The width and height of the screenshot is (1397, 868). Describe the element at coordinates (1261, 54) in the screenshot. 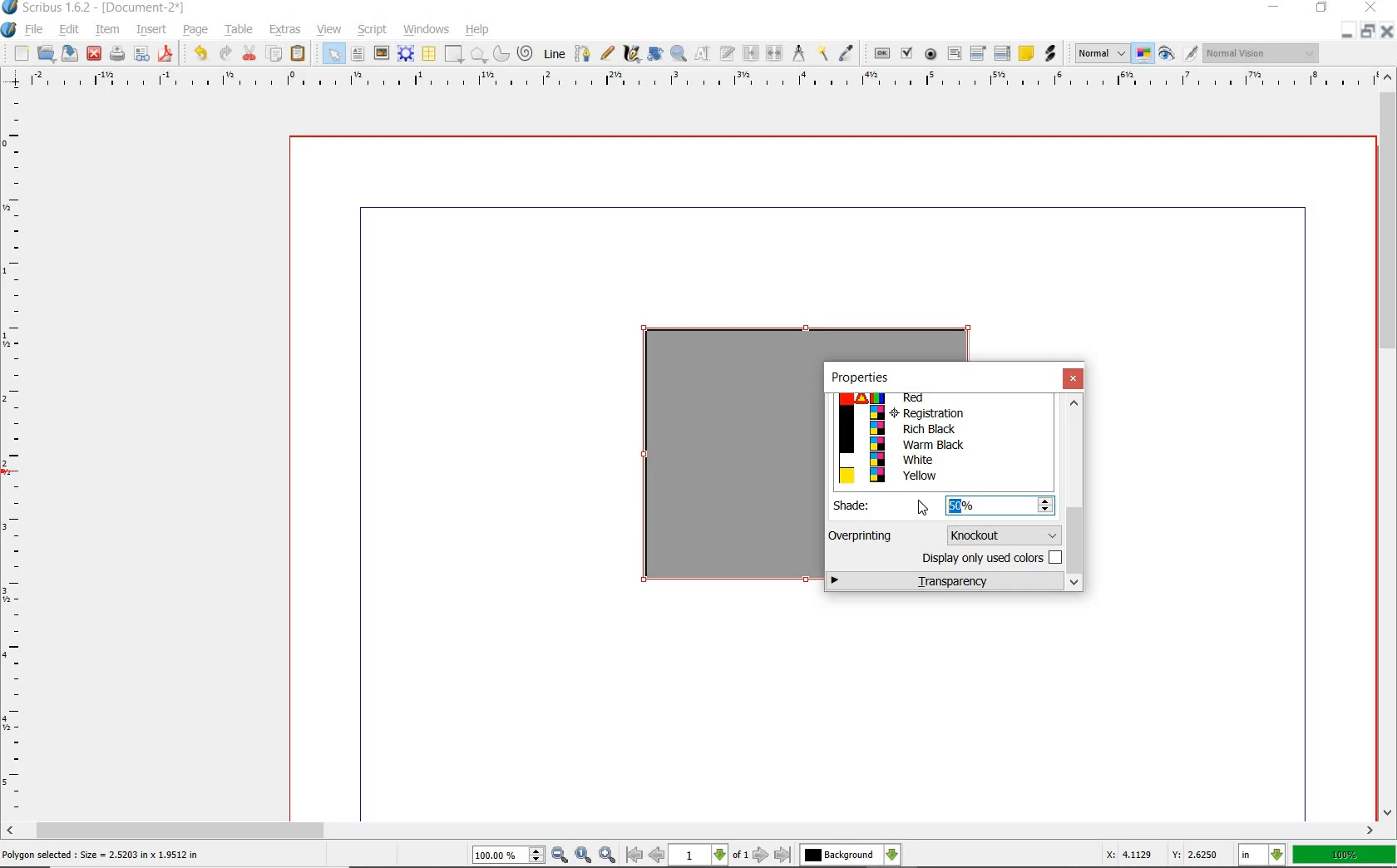

I see `Visual appearance of the display` at that location.